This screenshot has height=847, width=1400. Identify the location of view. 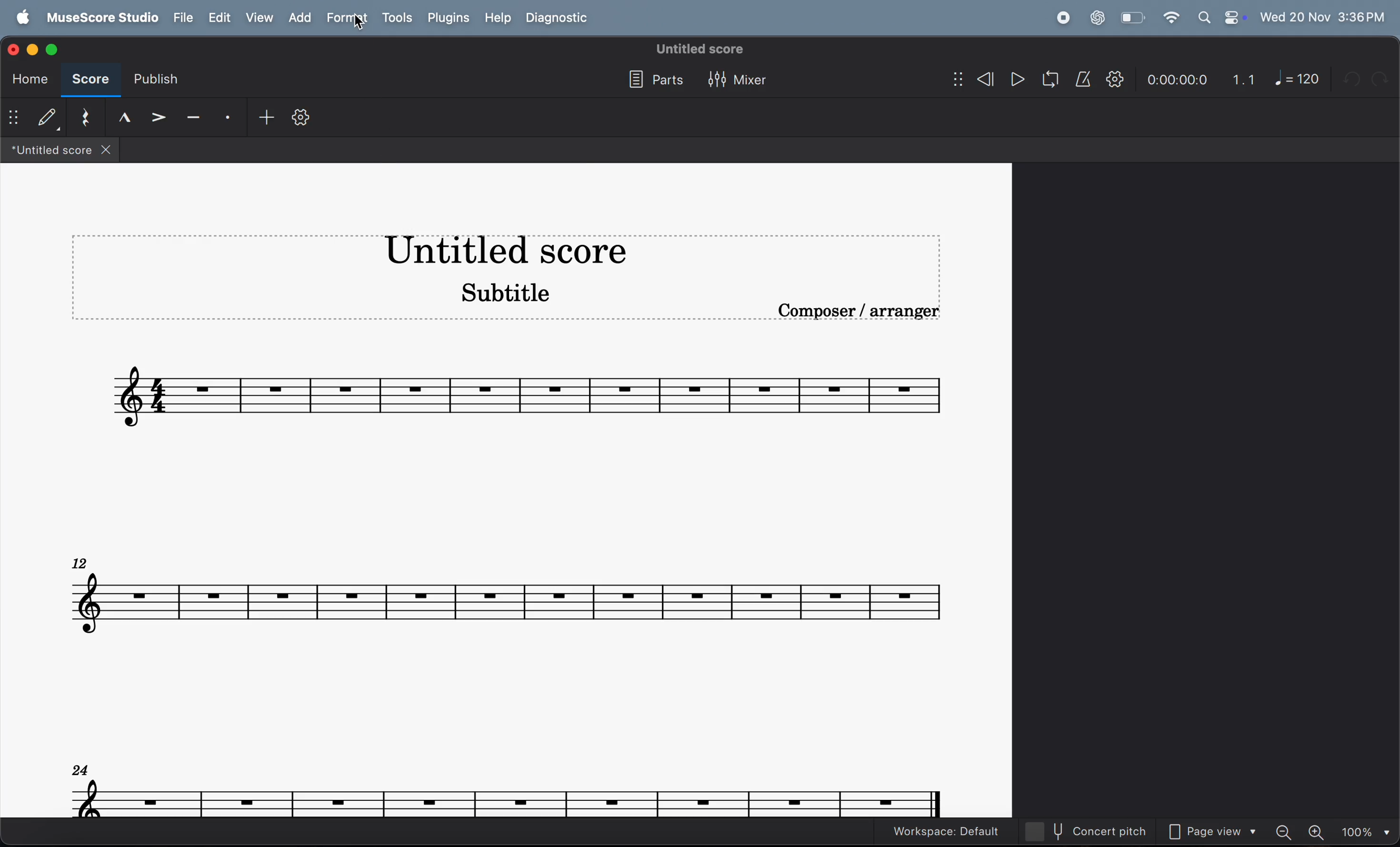
(261, 18).